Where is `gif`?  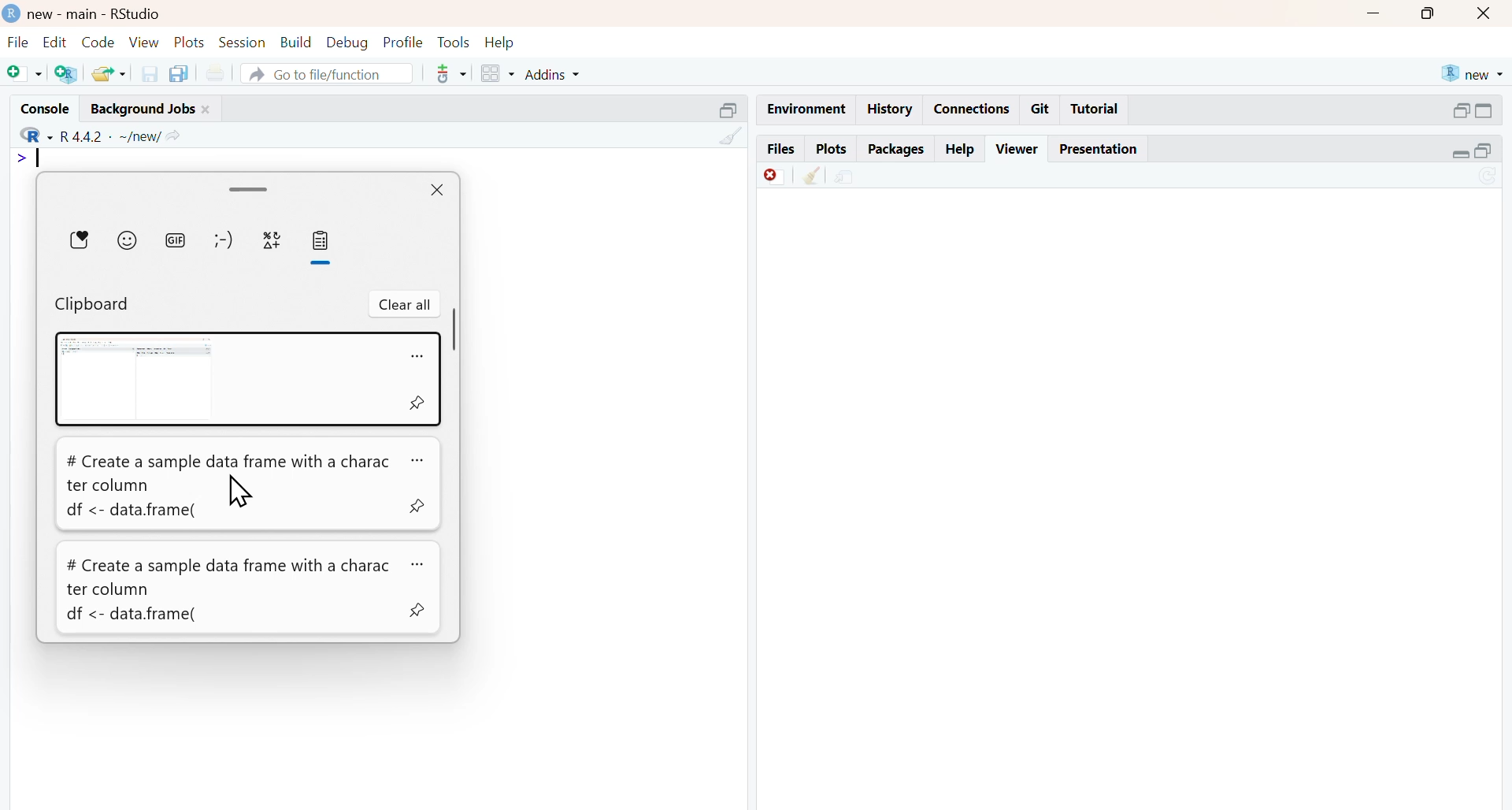
gif is located at coordinates (176, 240).